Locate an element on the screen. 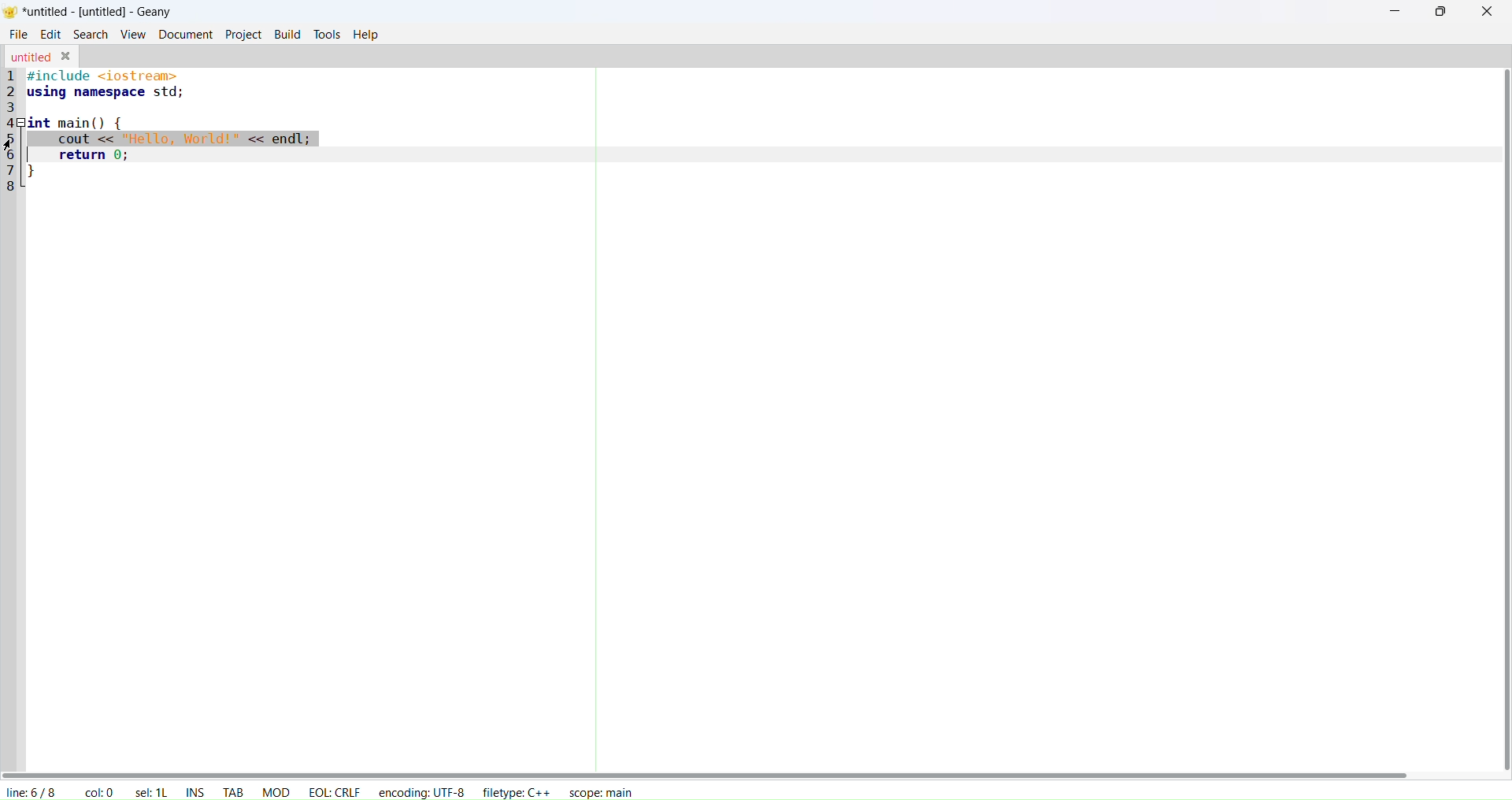  file is located at coordinates (17, 34).